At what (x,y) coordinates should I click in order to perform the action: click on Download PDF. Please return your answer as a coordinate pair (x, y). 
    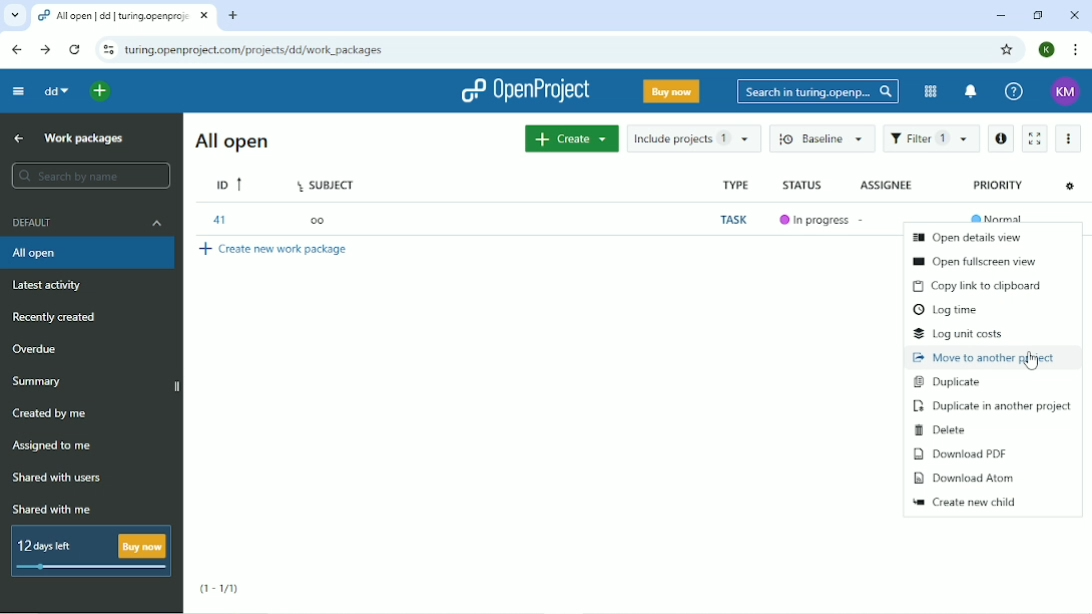
    Looking at the image, I should click on (960, 453).